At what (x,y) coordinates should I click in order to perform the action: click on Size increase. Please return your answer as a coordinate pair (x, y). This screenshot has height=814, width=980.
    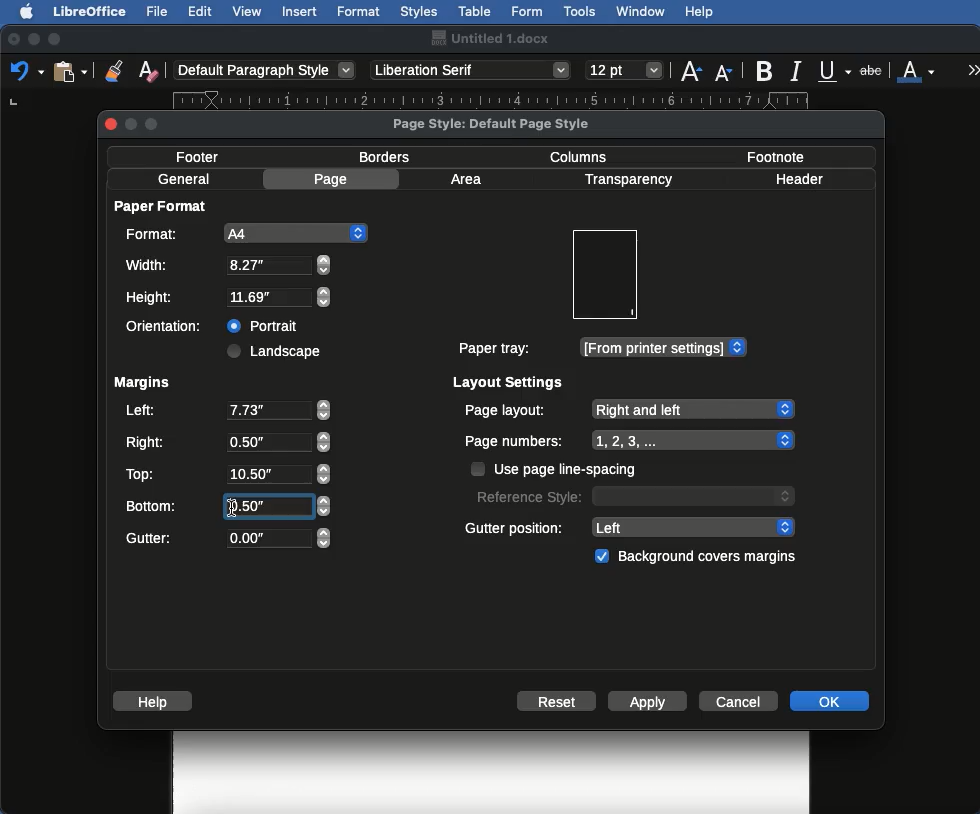
    Looking at the image, I should click on (690, 69).